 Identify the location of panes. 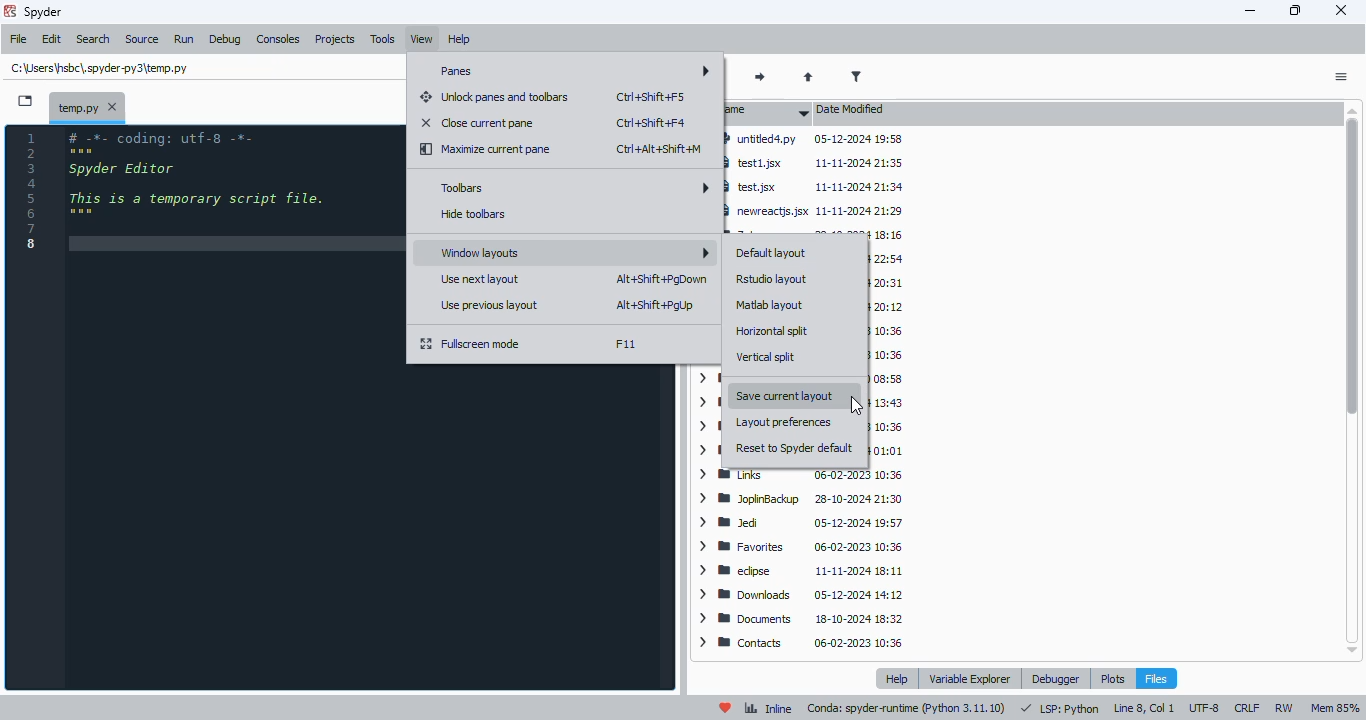
(570, 71).